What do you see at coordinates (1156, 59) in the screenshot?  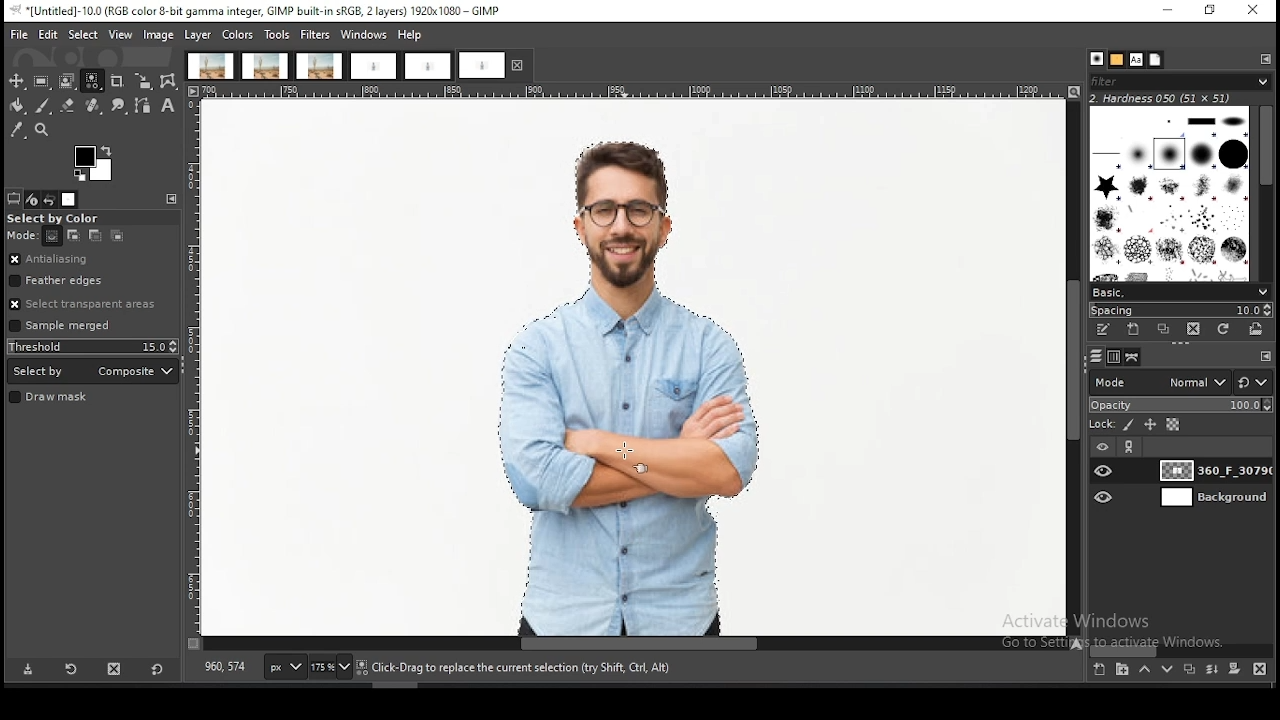 I see `document history` at bounding box center [1156, 59].